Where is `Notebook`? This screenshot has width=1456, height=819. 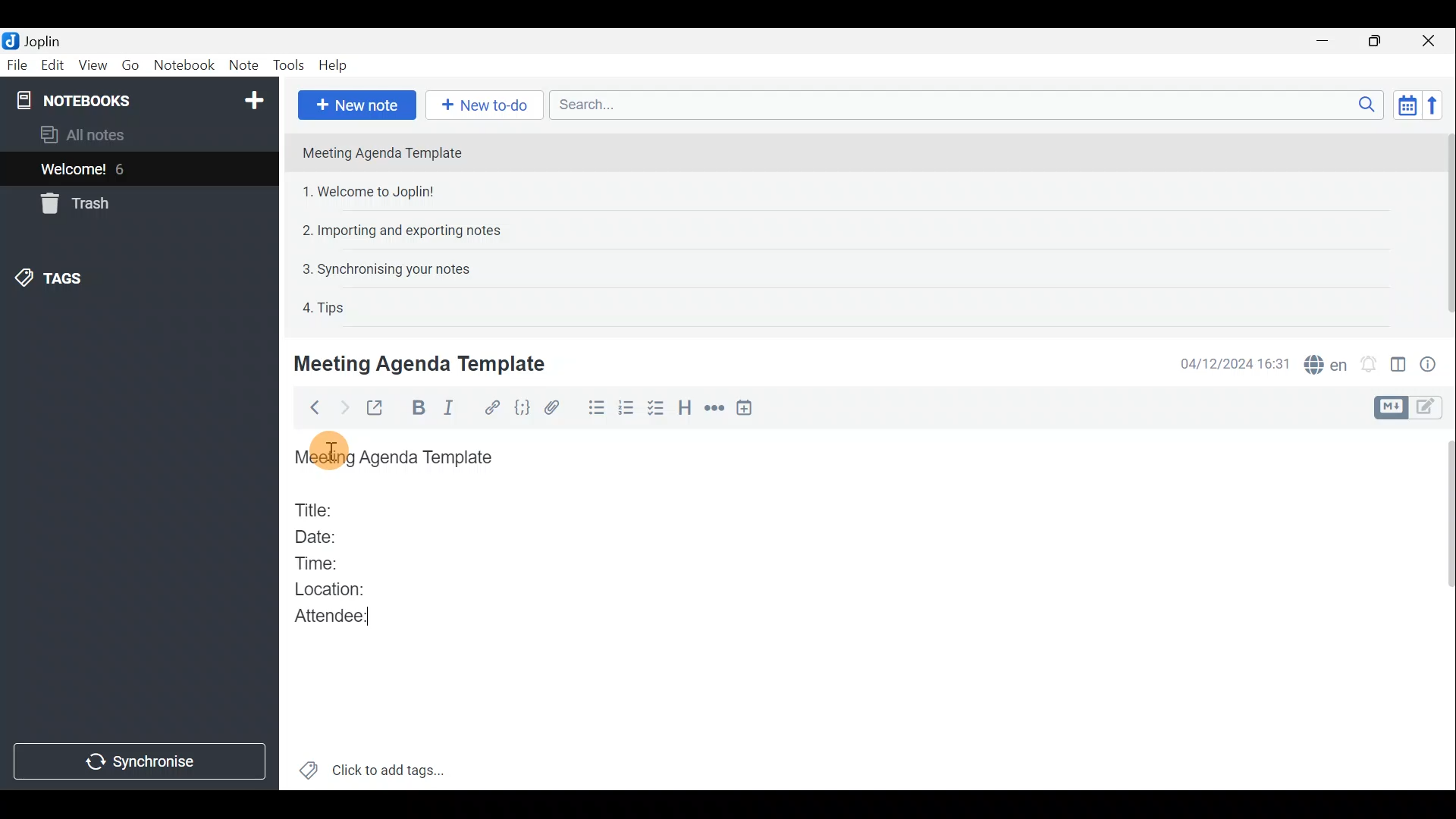 Notebook is located at coordinates (183, 64).